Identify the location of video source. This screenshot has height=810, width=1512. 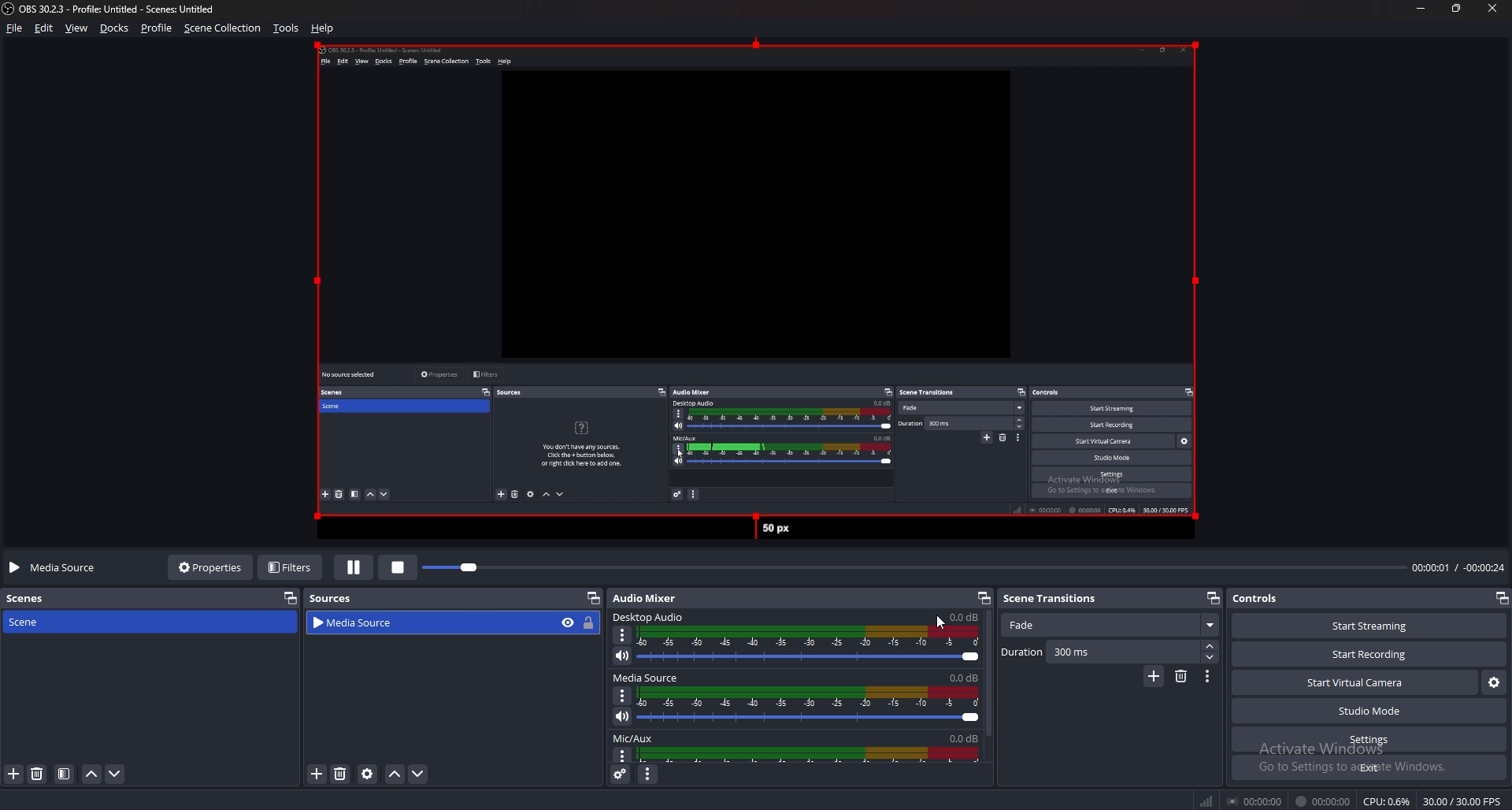
(423, 623).